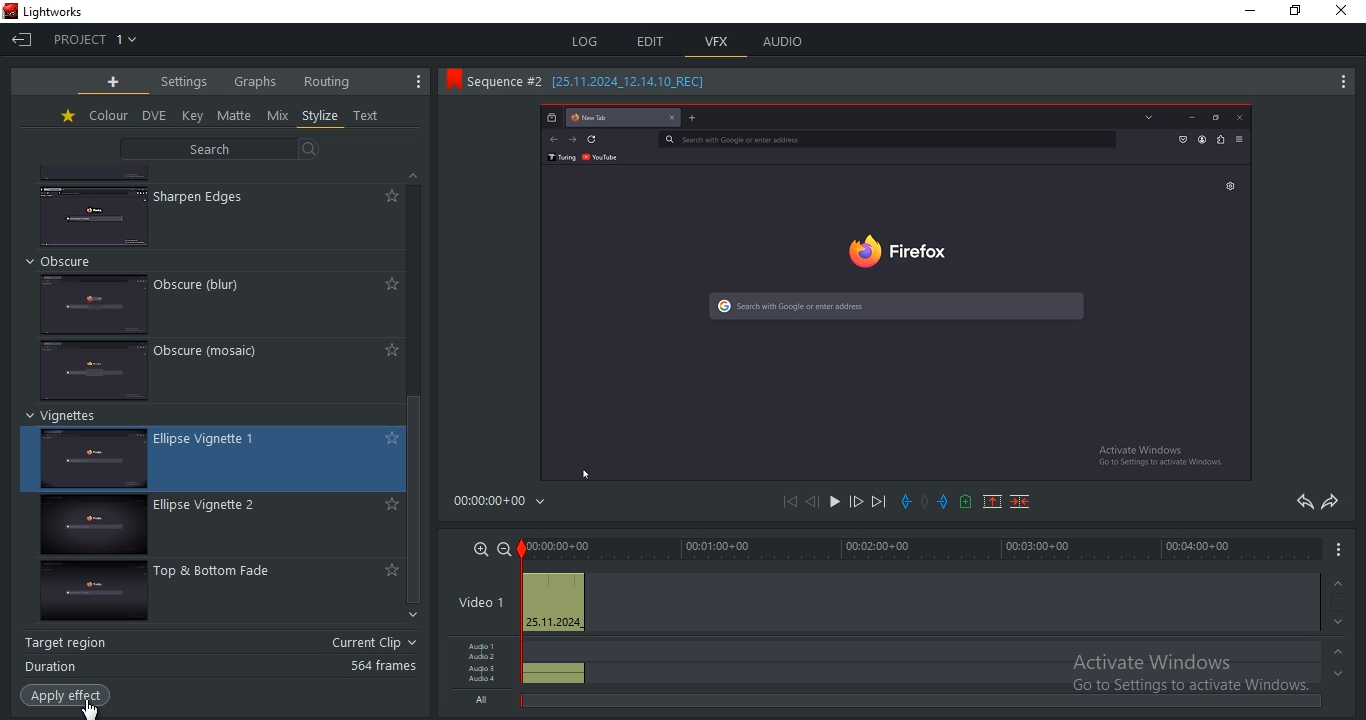 This screenshot has width=1366, height=720. I want to click on sharpen edges, so click(205, 197).